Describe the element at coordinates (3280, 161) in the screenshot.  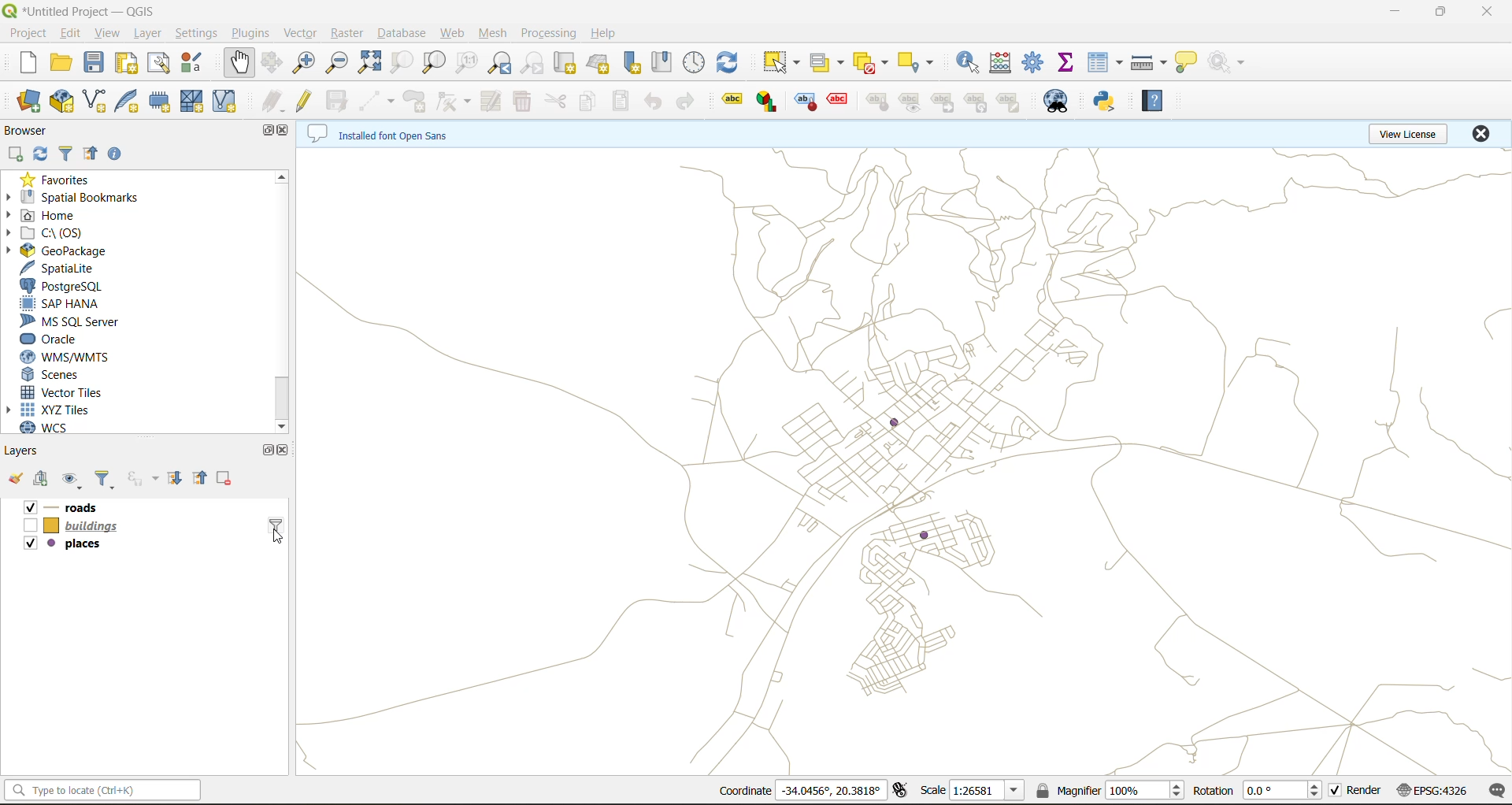
I see `statistical summary` at that location.